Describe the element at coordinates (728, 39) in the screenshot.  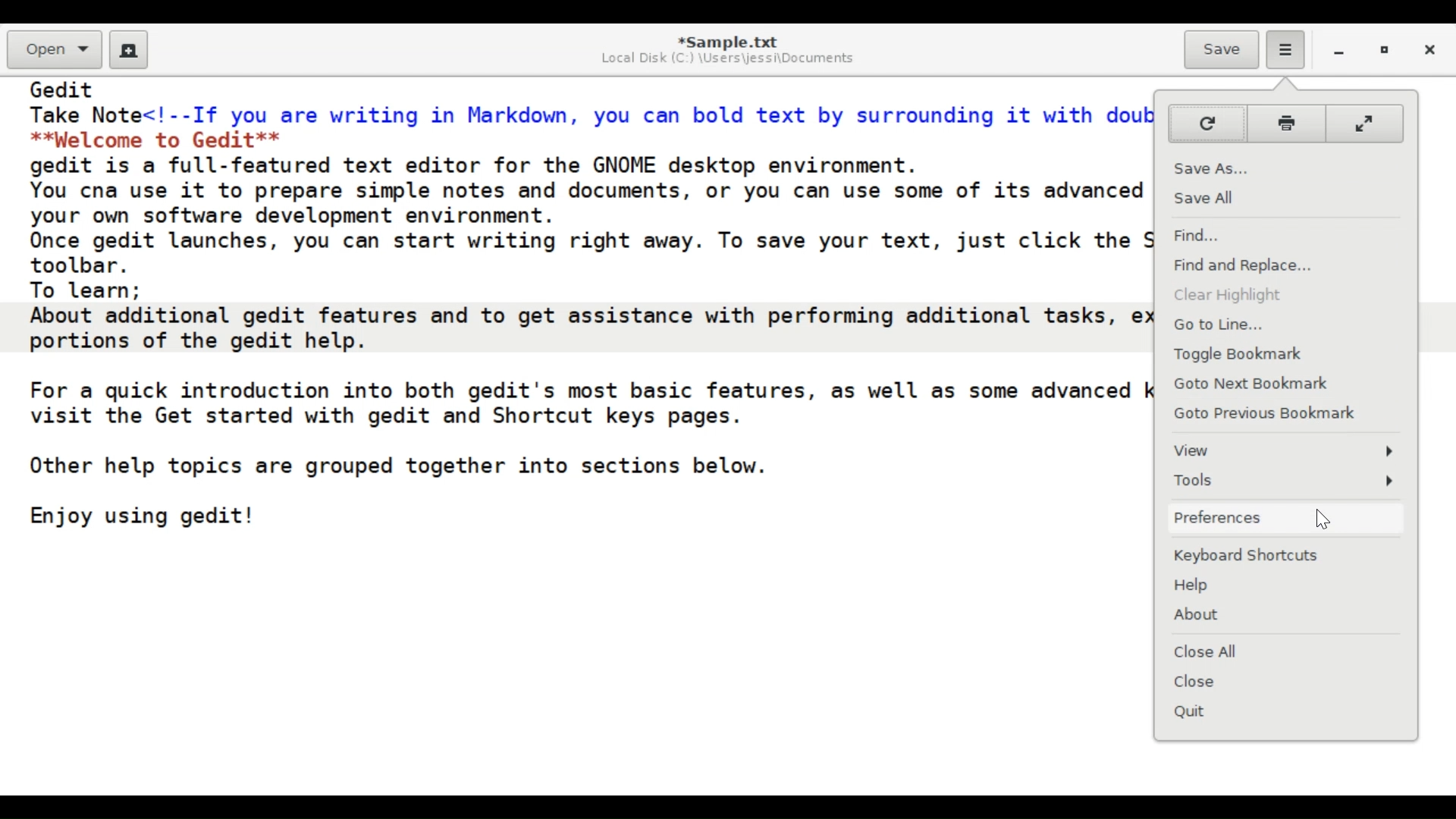
I see `*Sample.txt` at that location.